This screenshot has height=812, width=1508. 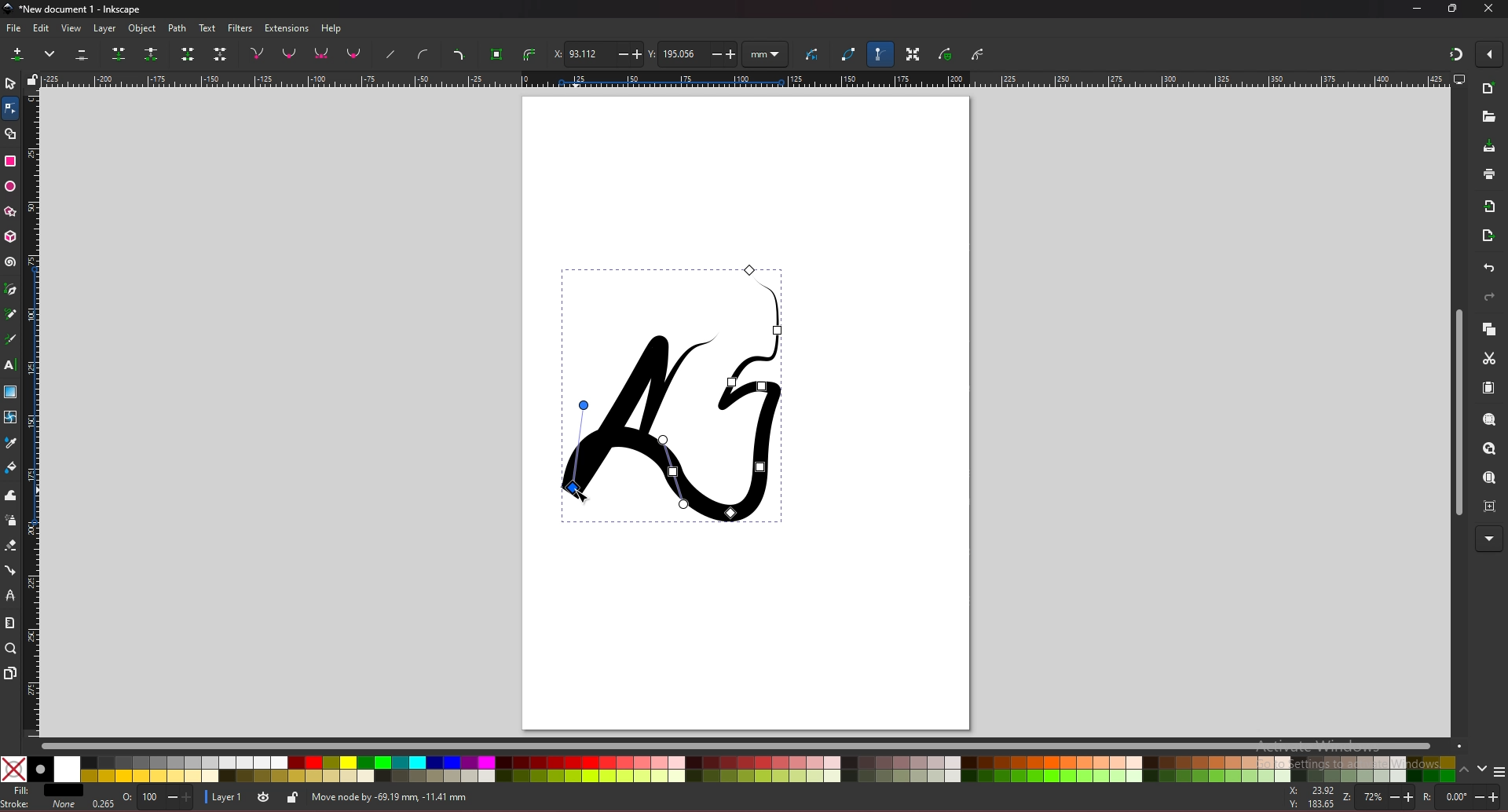 What do you see at coordinates (459, 55) in the screenshot?
I see `add corners lpe` at bounding box center [459, 55].